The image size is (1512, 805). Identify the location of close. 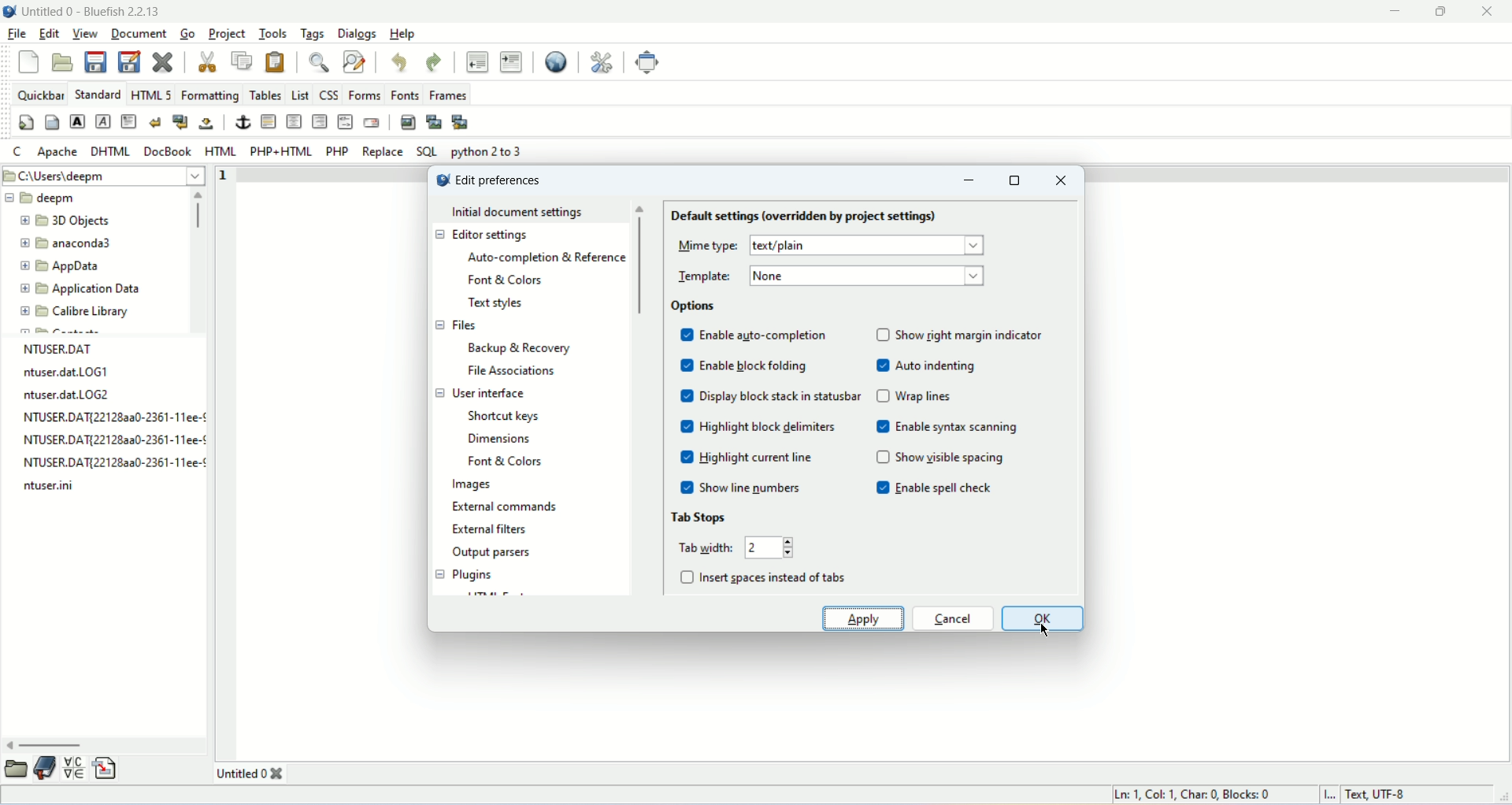
(1062, 180).